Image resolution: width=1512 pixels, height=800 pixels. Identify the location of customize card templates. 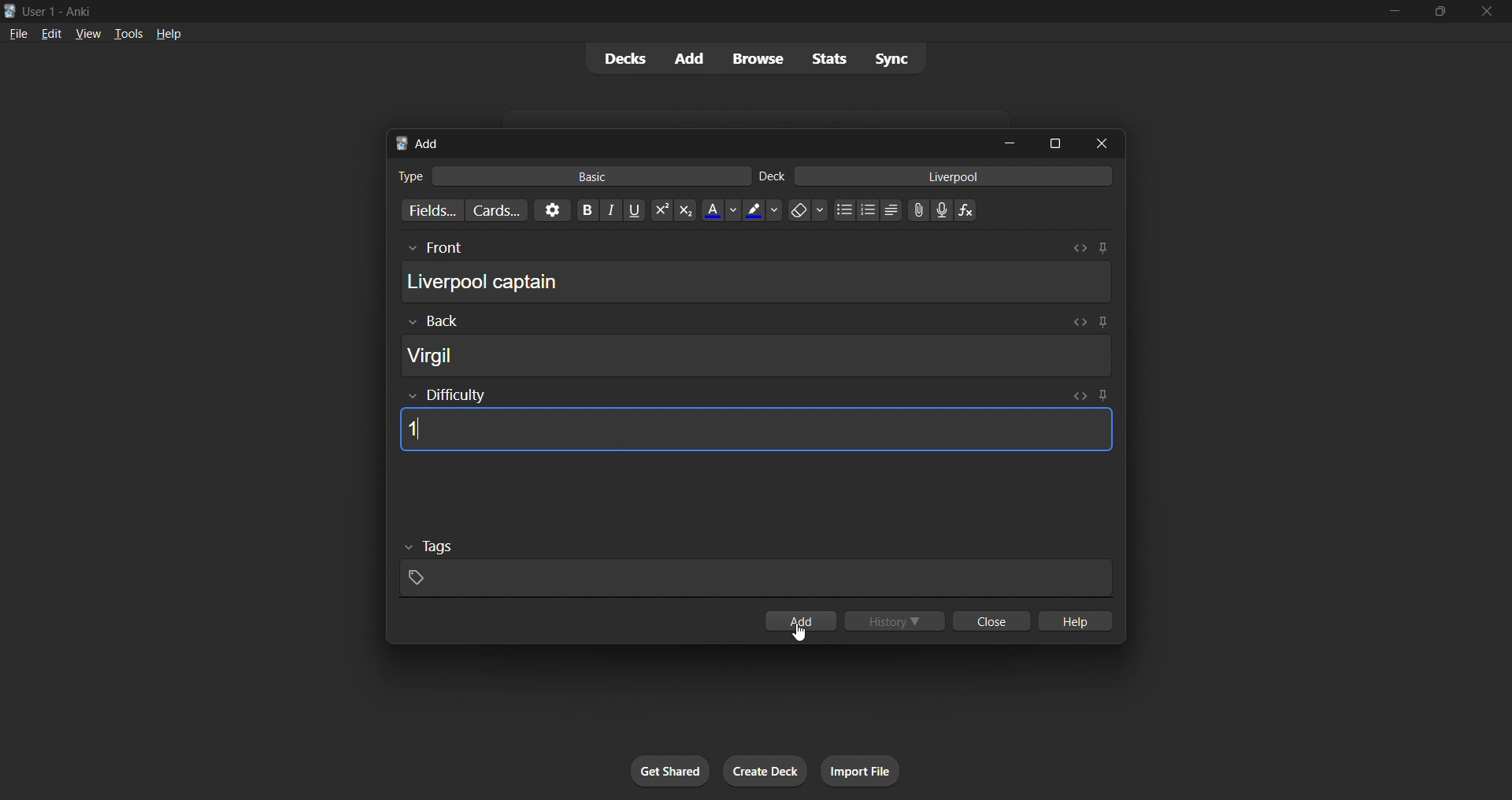
(496, 211).